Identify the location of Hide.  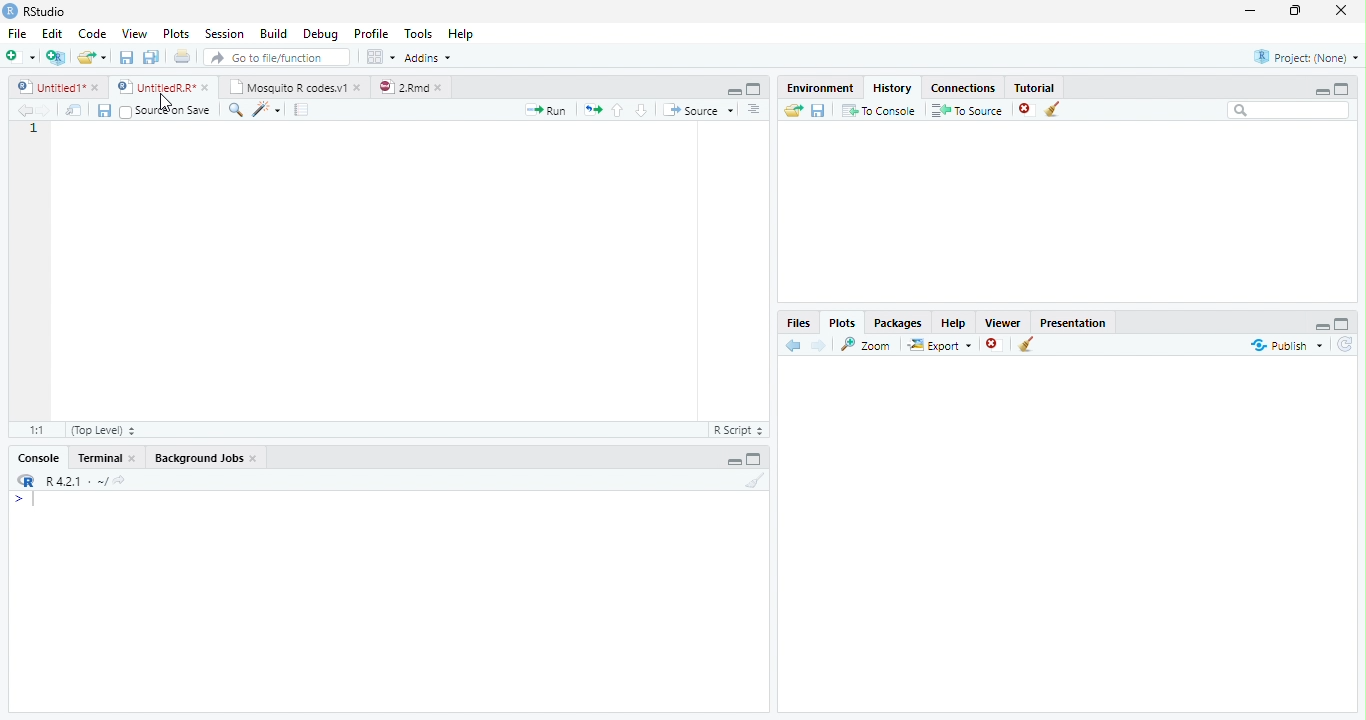
(731, 461).